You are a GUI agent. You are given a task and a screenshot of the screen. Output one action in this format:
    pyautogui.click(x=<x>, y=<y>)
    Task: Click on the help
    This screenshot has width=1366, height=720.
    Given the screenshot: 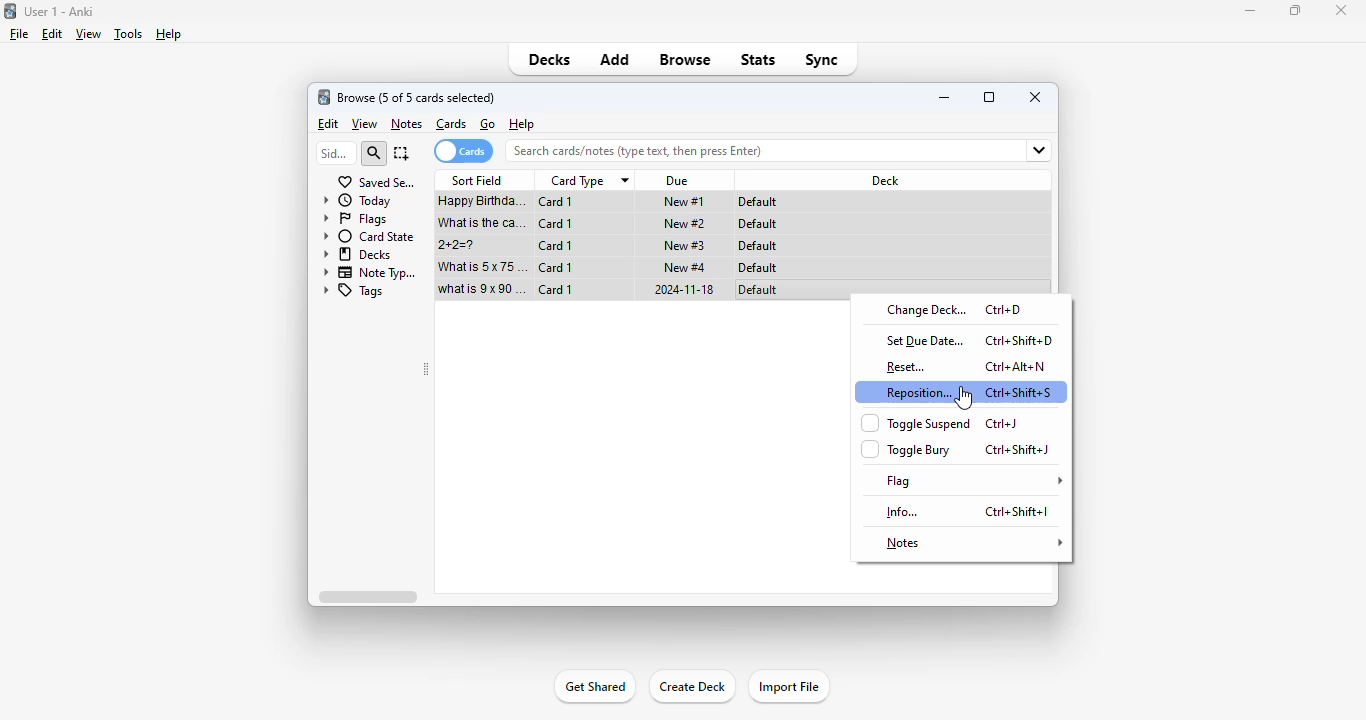 What is the action you would take?
    pyautogui.click(x=168, y=34)
    